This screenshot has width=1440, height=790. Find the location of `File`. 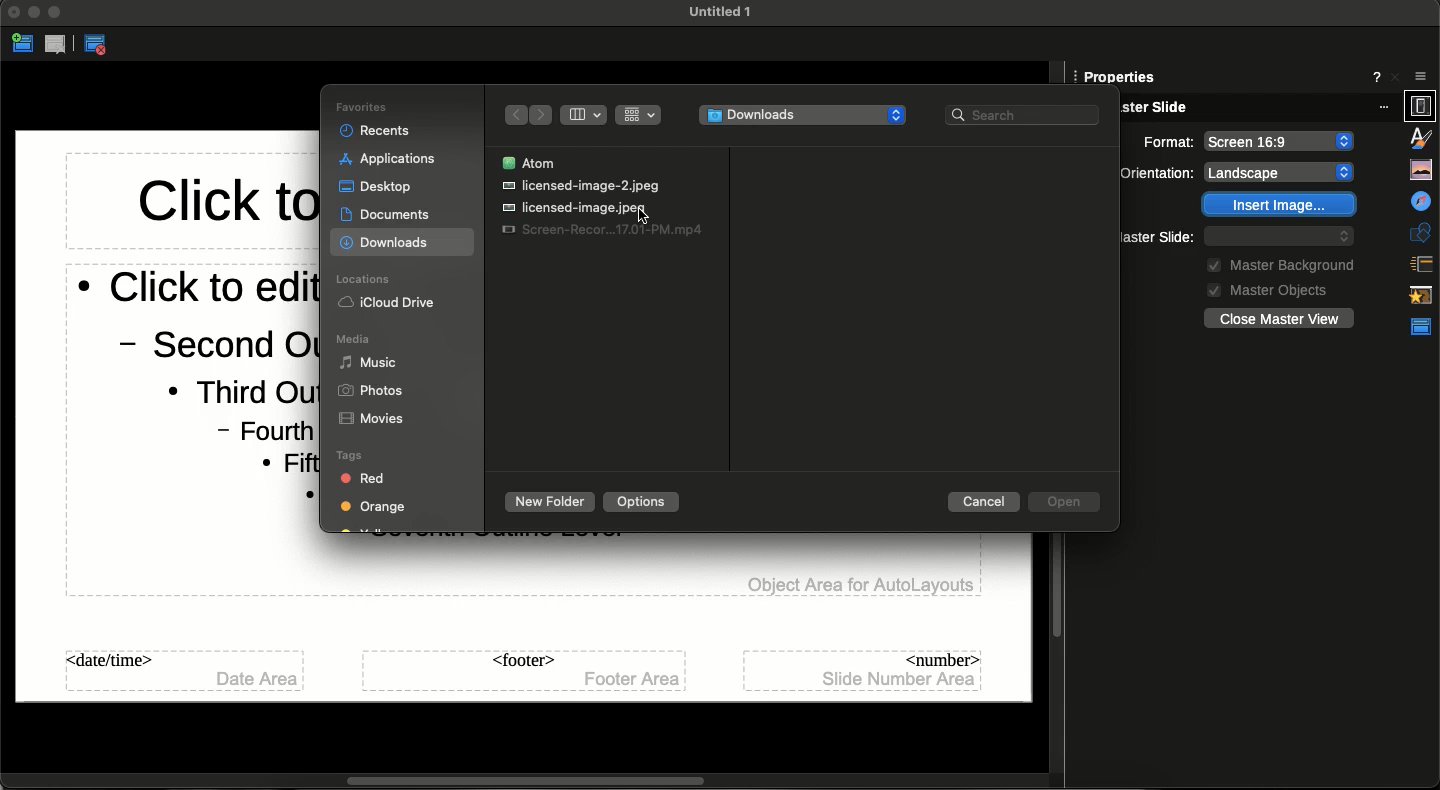

File is located at coordinates (581, 184).